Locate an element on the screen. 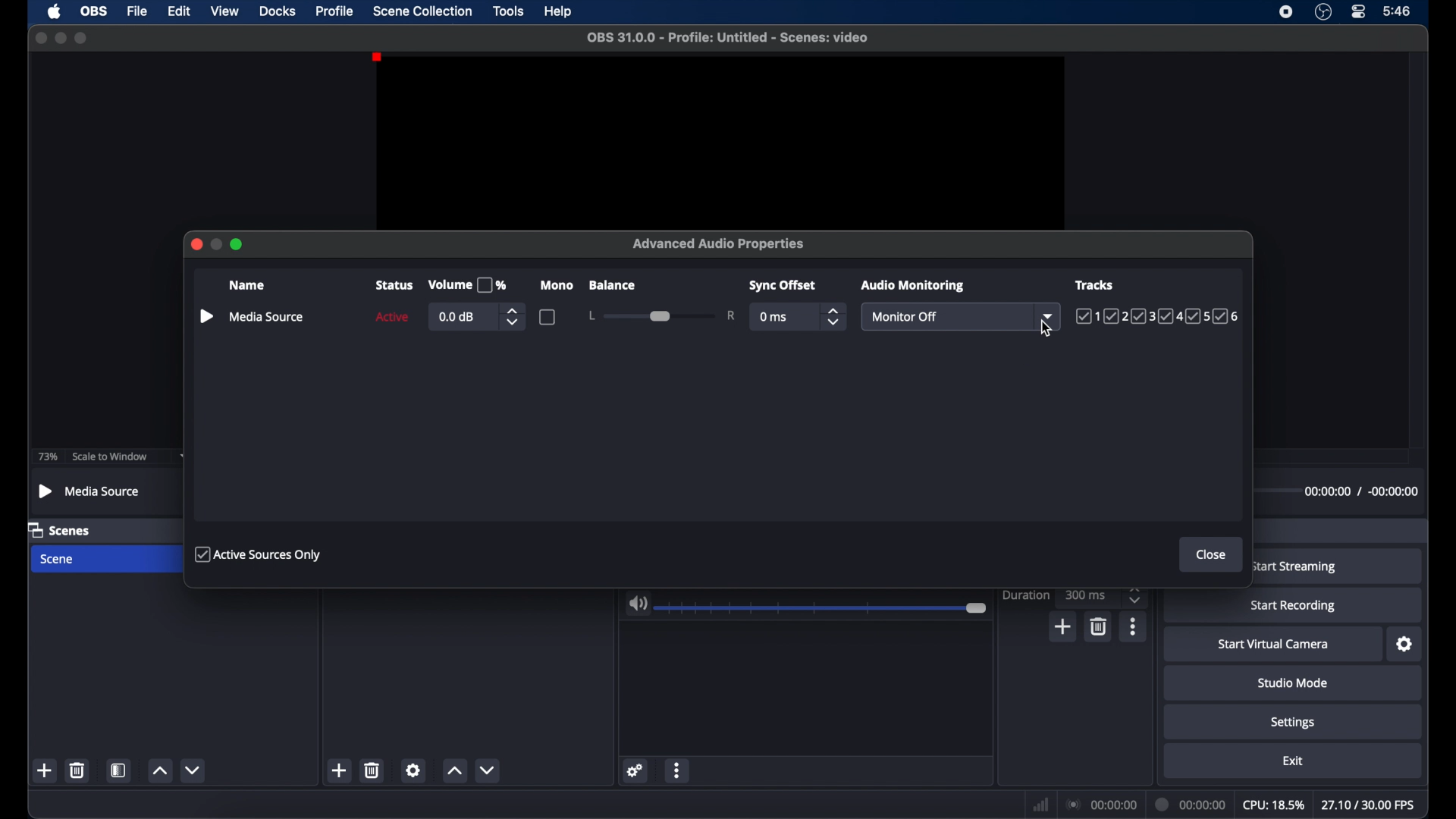 This screenshot has width=1456, height=819. settings is located at coordinates (1405, 645).